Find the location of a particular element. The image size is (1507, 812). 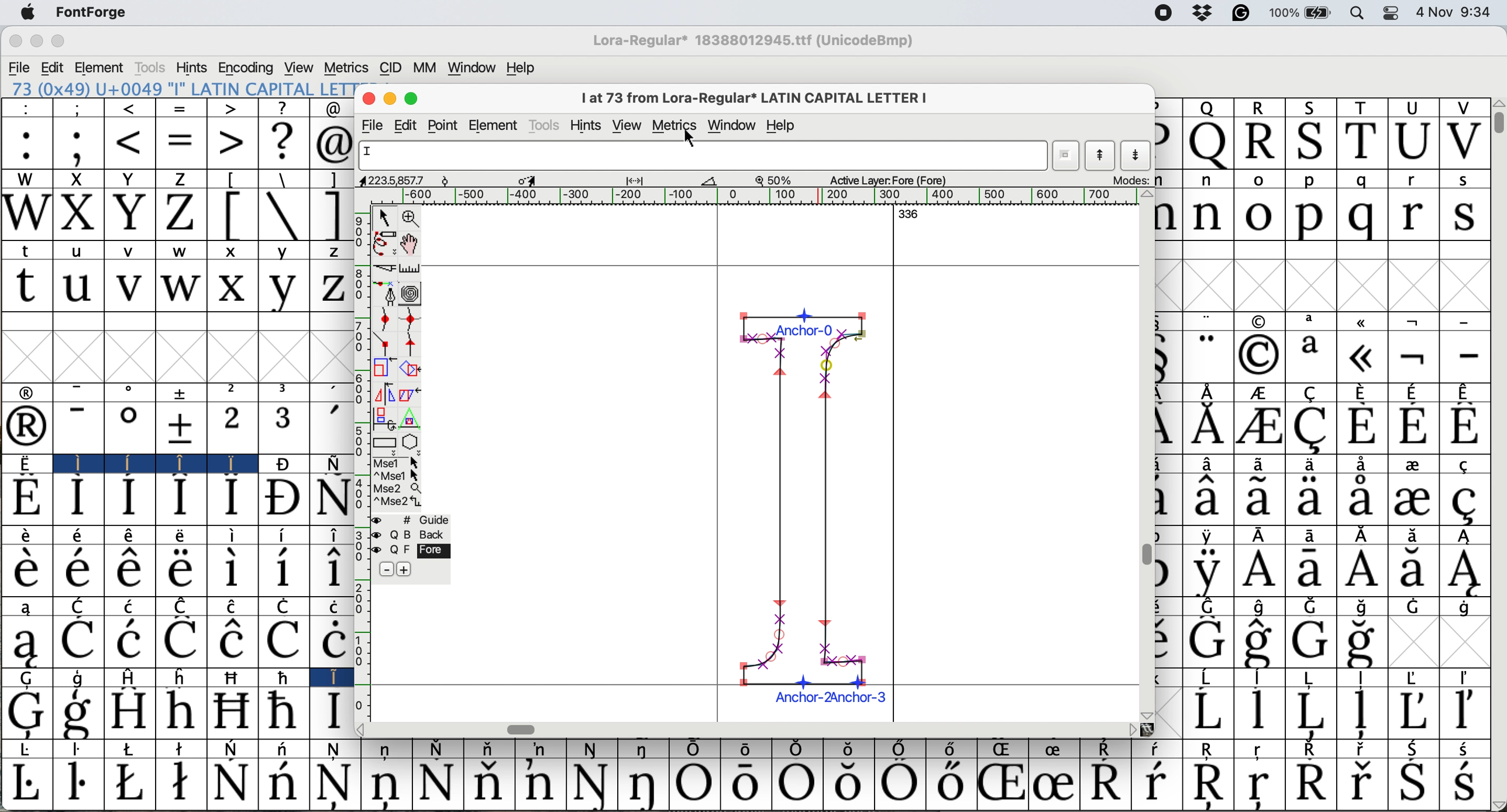

V is located at coordinates (1464, 142).